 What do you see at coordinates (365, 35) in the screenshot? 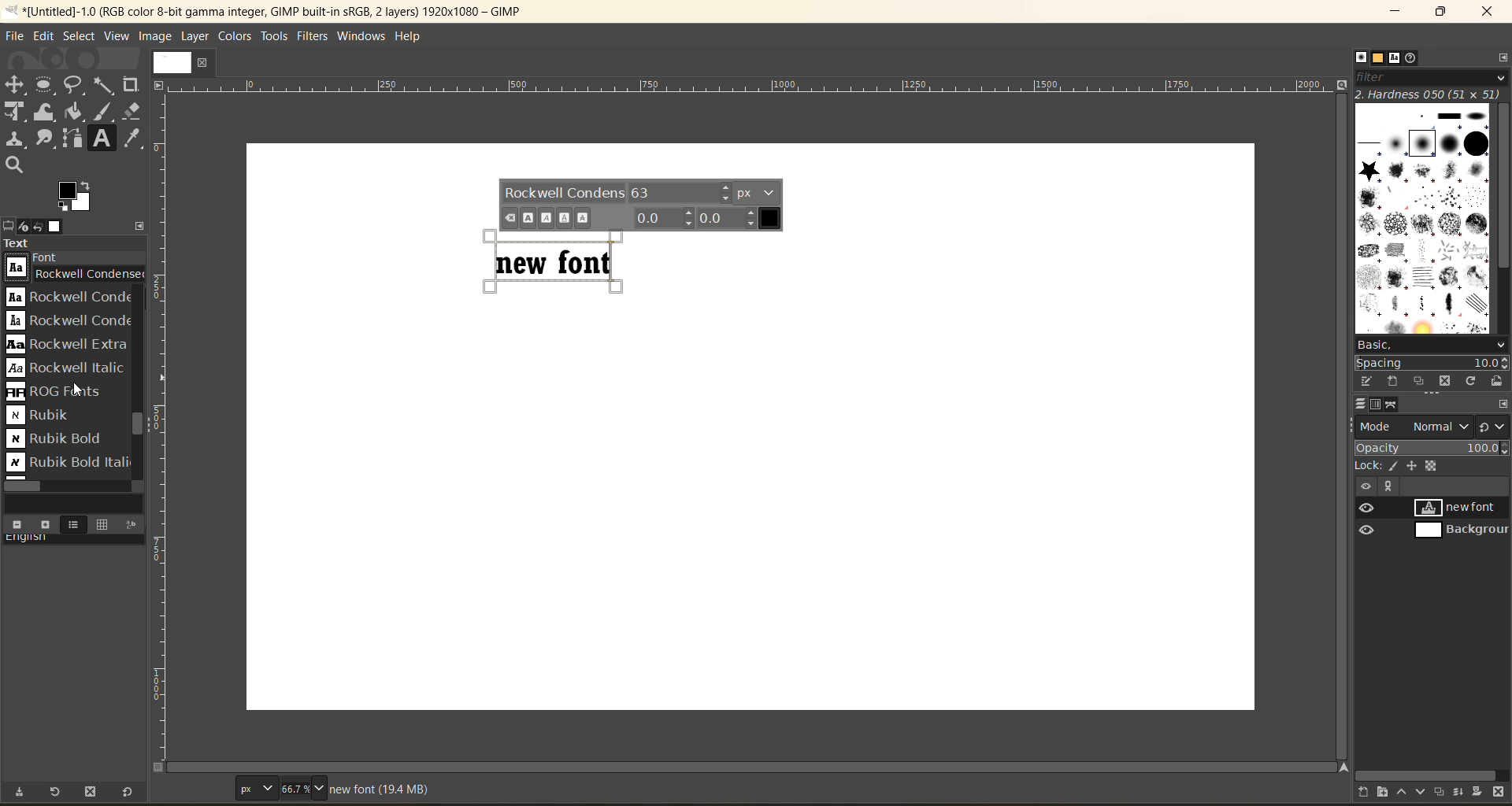
I see `windows` at bounding box center [365, 35].